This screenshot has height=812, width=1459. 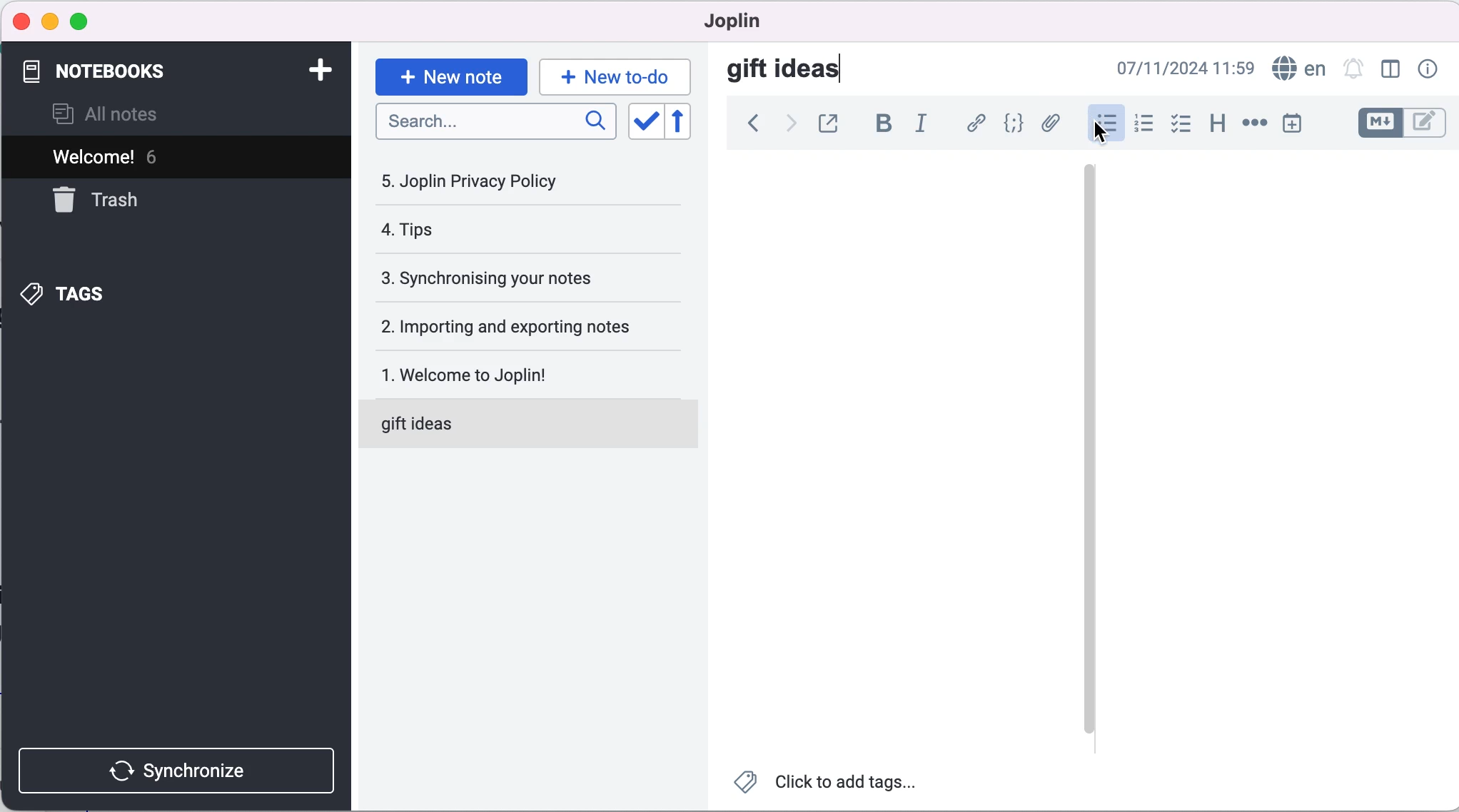 What do you see at coordinates (1216, 123) in the screenshot?
I see `heading` at bounding box center [1216, 123].